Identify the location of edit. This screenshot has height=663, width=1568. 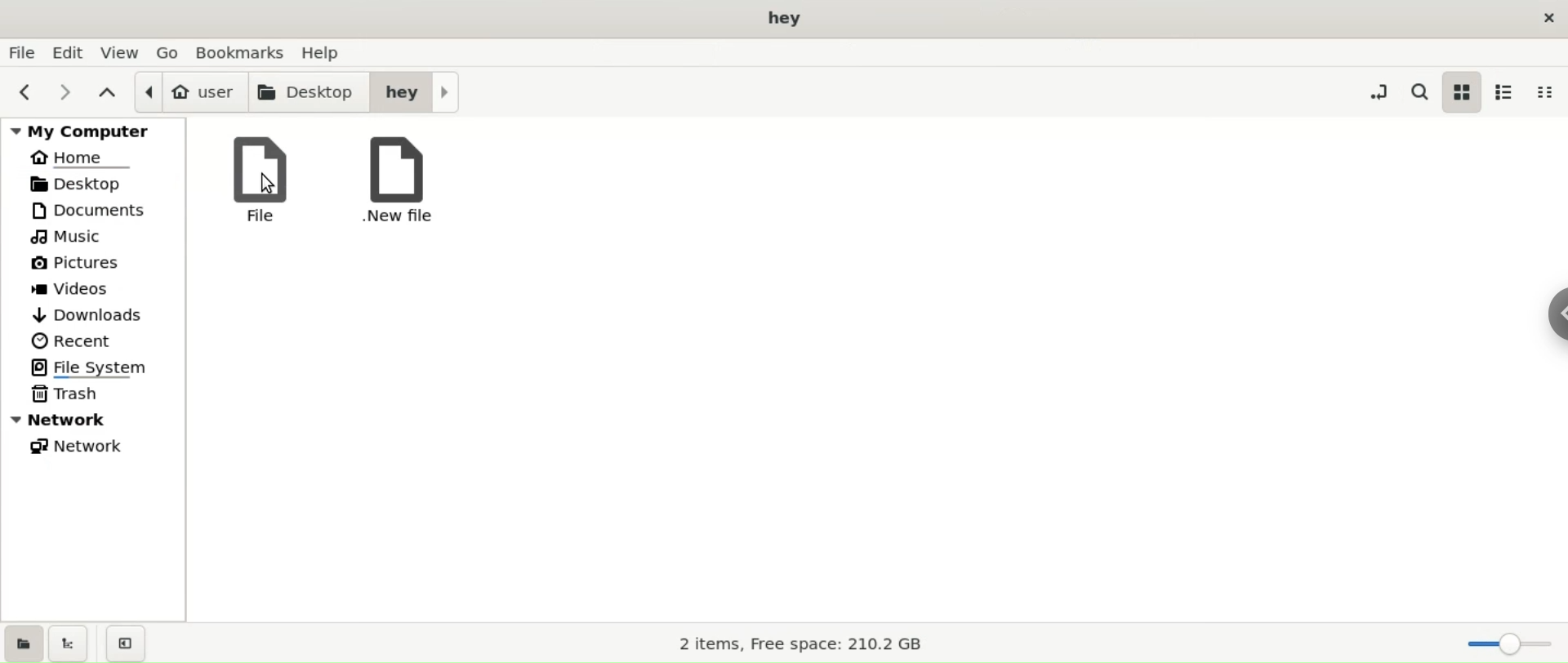
(71, 51).